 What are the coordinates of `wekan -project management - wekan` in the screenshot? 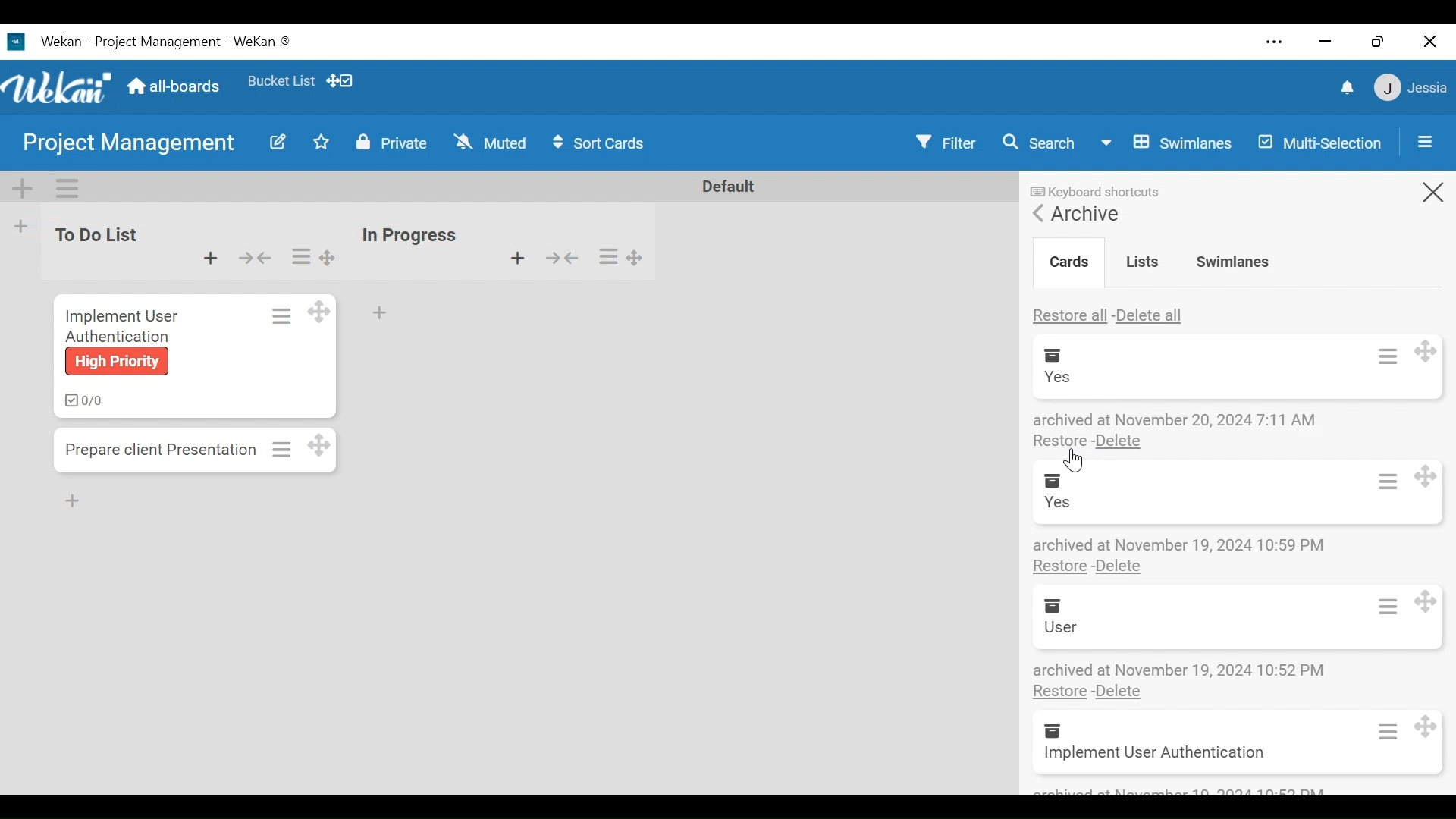 It's located at (168, 39).